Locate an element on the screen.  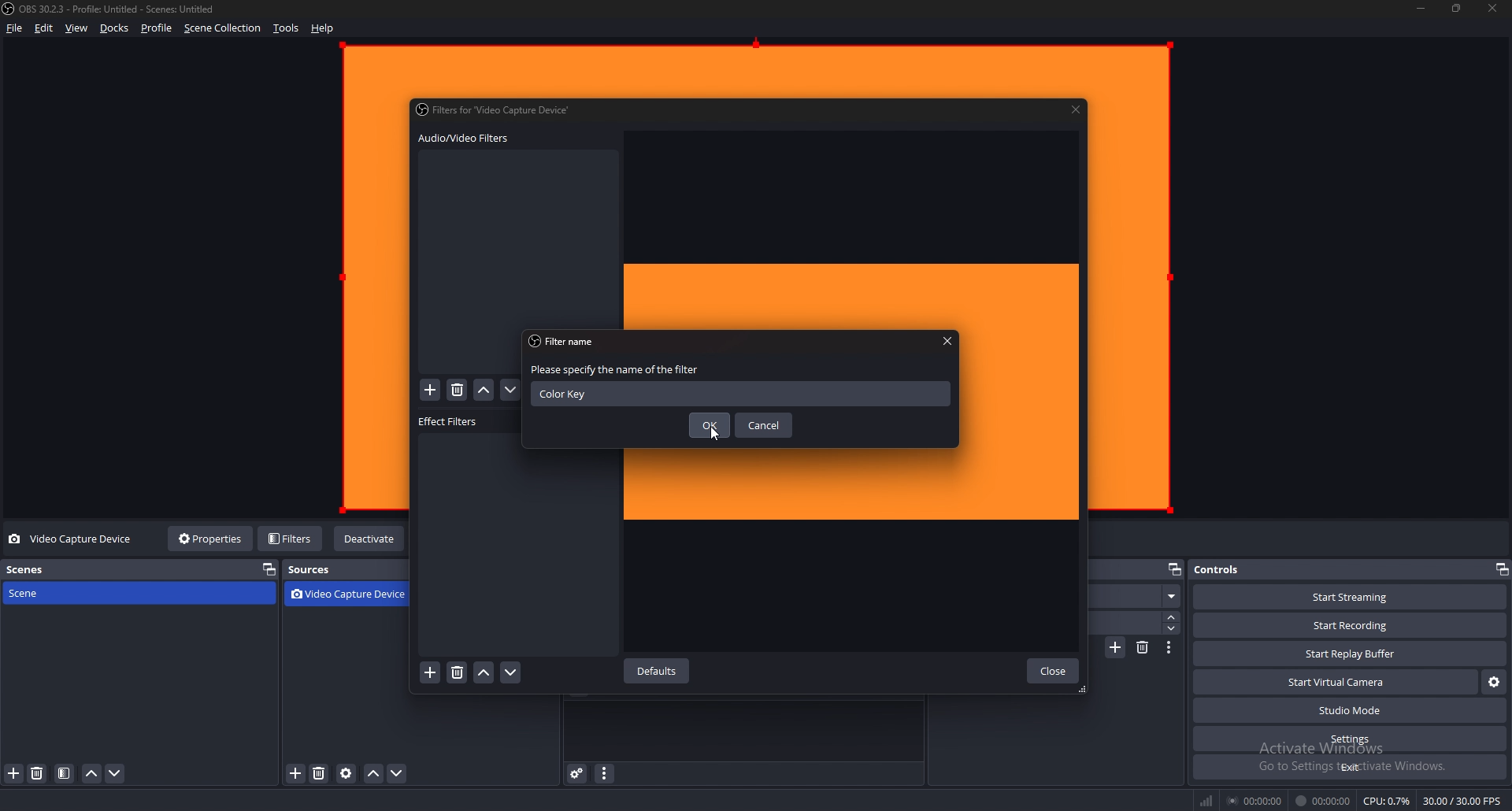
edit is located at coordinates (44, 28).